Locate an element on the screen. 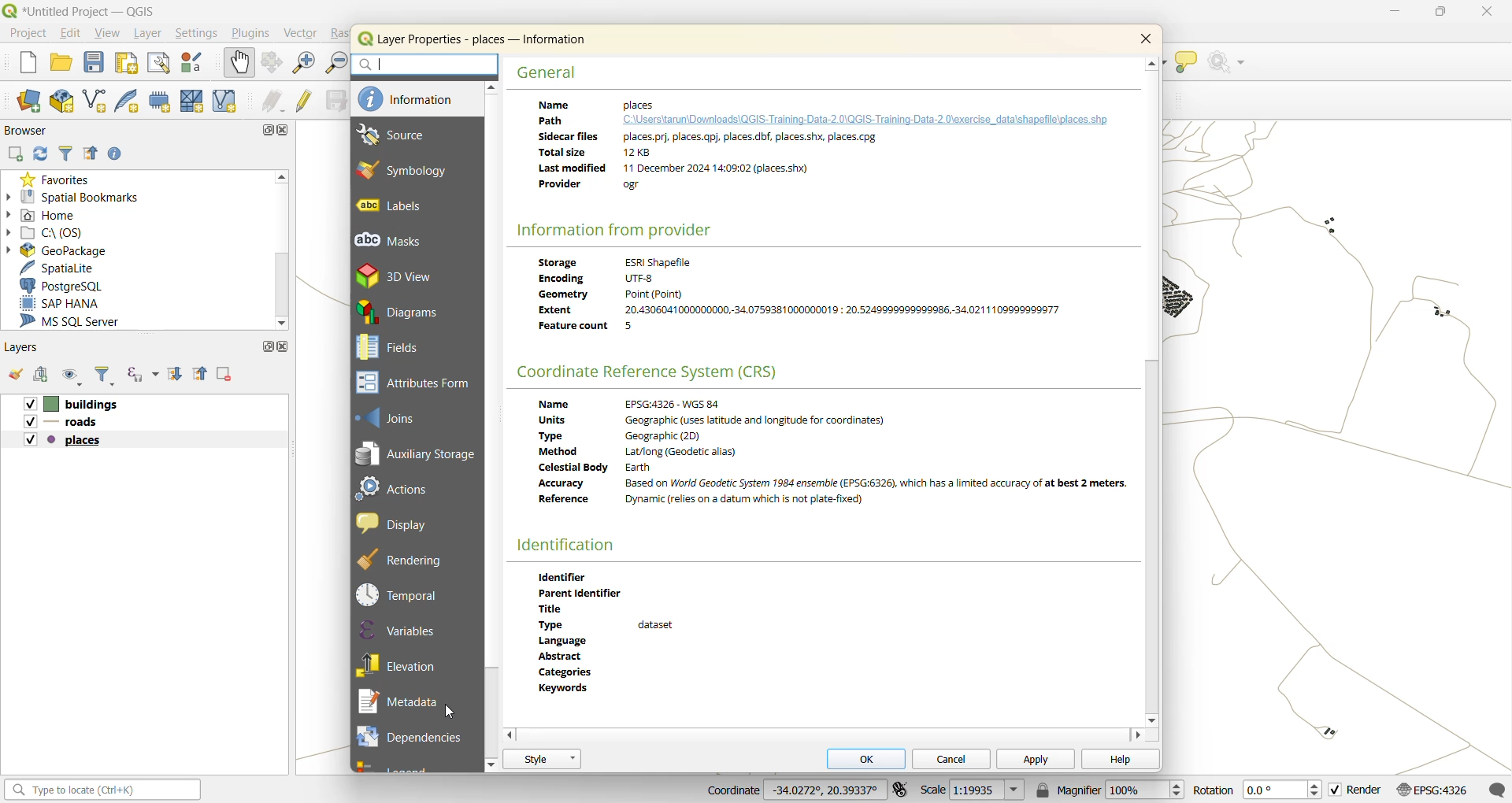  crs is located at coordinates (1432, 790).